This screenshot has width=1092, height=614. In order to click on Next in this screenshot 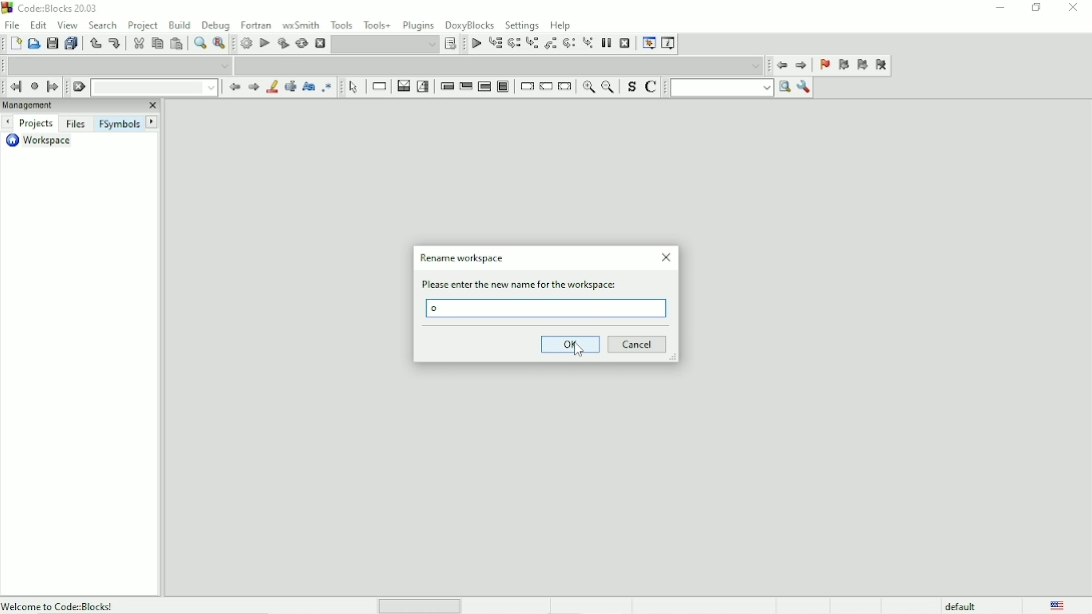, I will do `click(253, 87)`.